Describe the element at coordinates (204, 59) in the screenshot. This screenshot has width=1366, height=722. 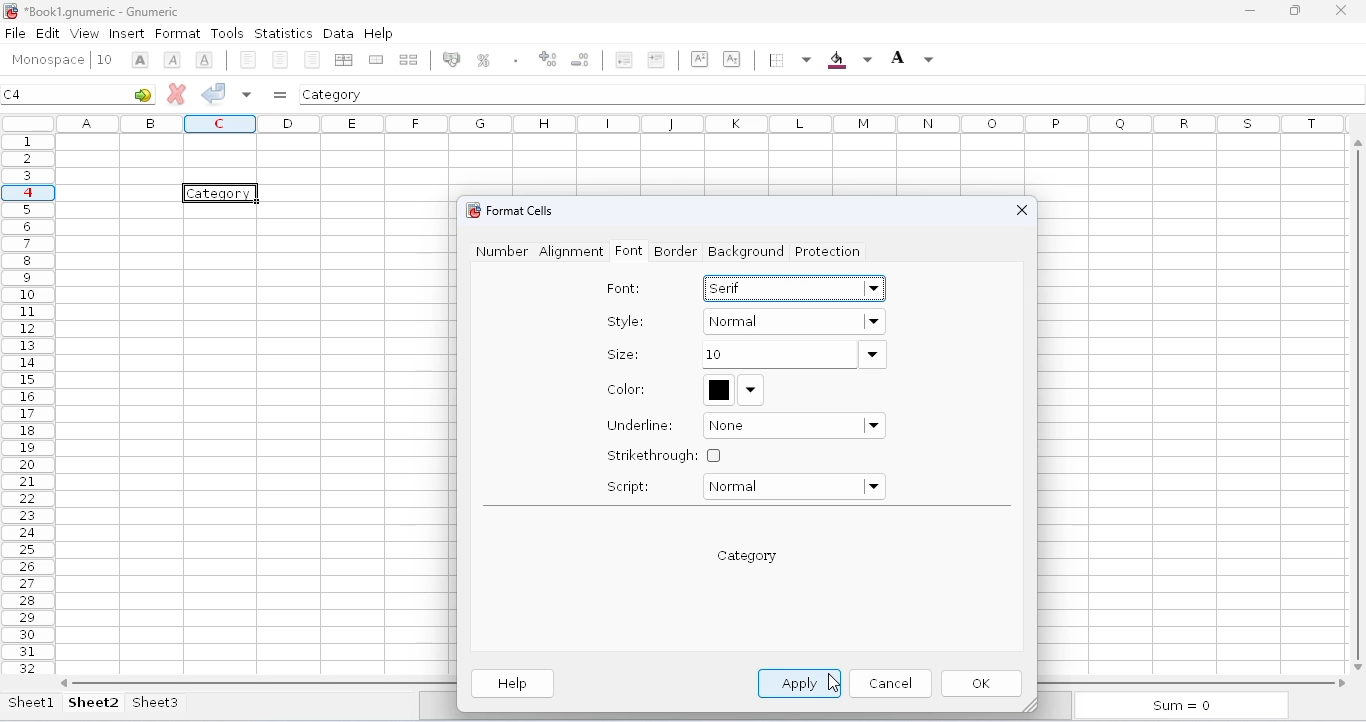
I see `underline` at that location.